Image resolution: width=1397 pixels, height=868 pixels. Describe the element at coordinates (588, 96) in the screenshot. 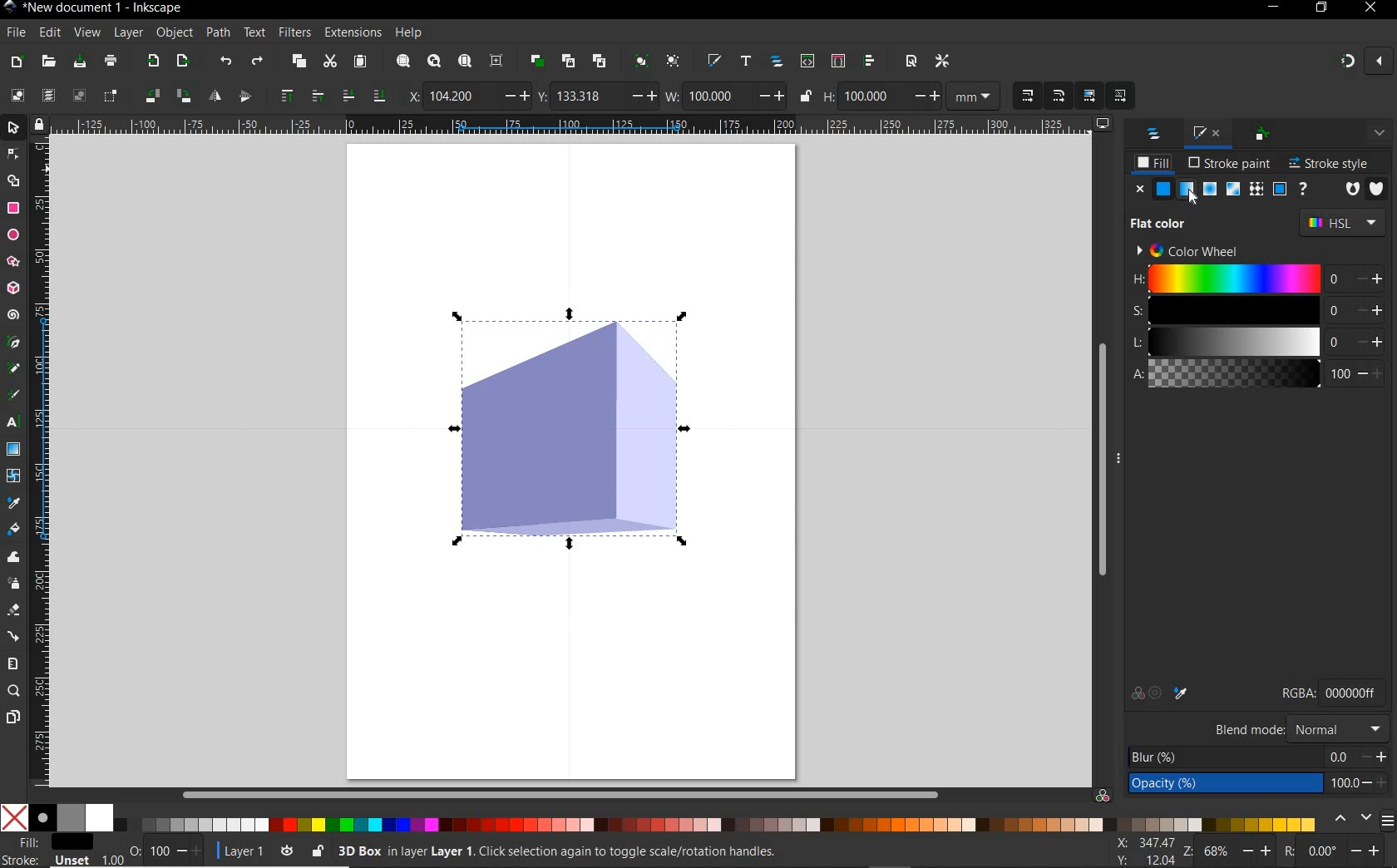

I see `133` at that location.